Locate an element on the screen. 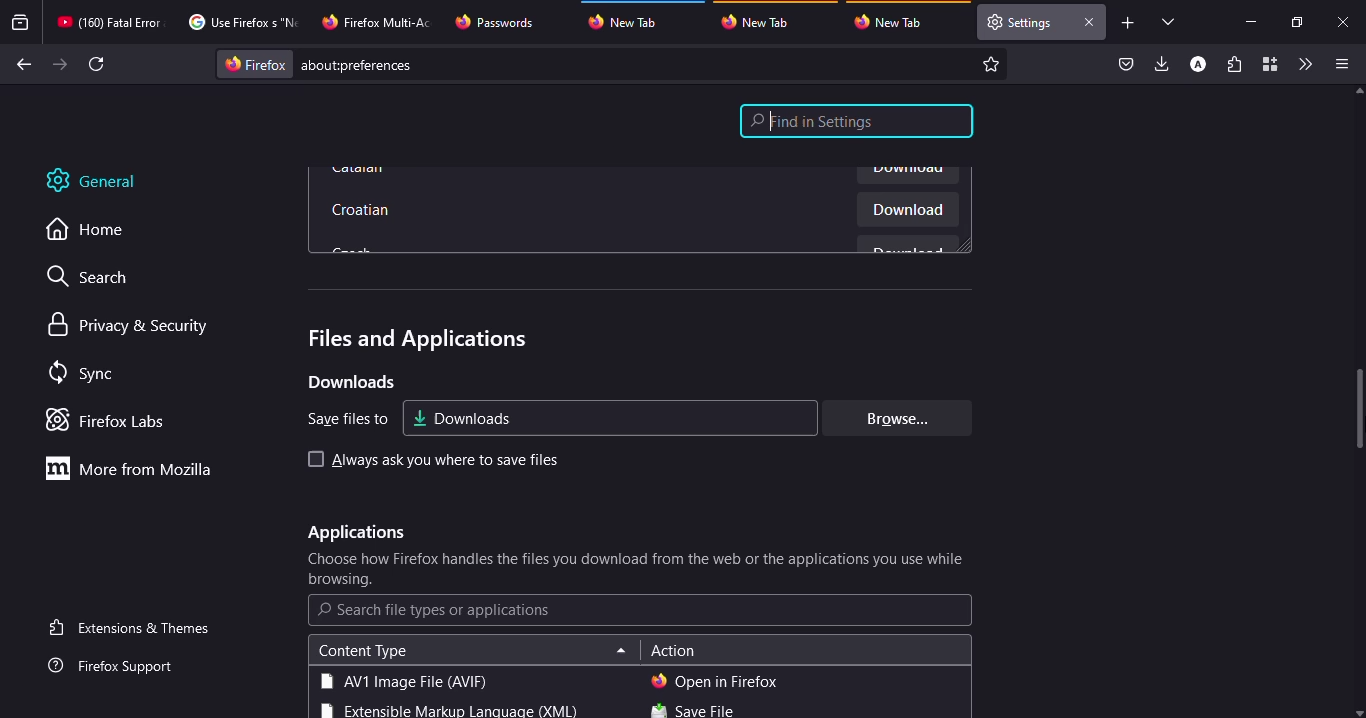  forward is located at coordinates (60, 64).